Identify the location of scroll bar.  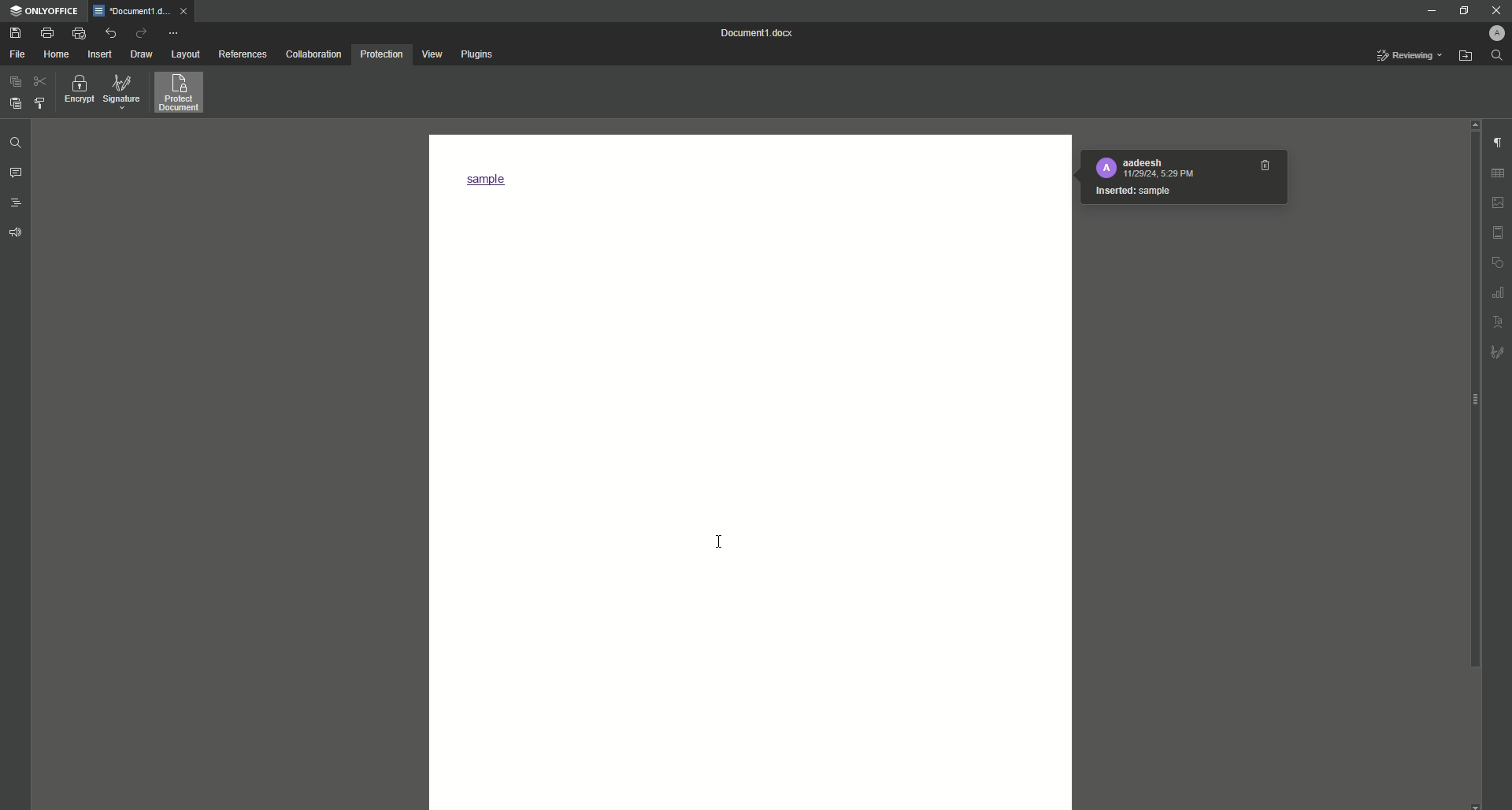
(1472, 400).